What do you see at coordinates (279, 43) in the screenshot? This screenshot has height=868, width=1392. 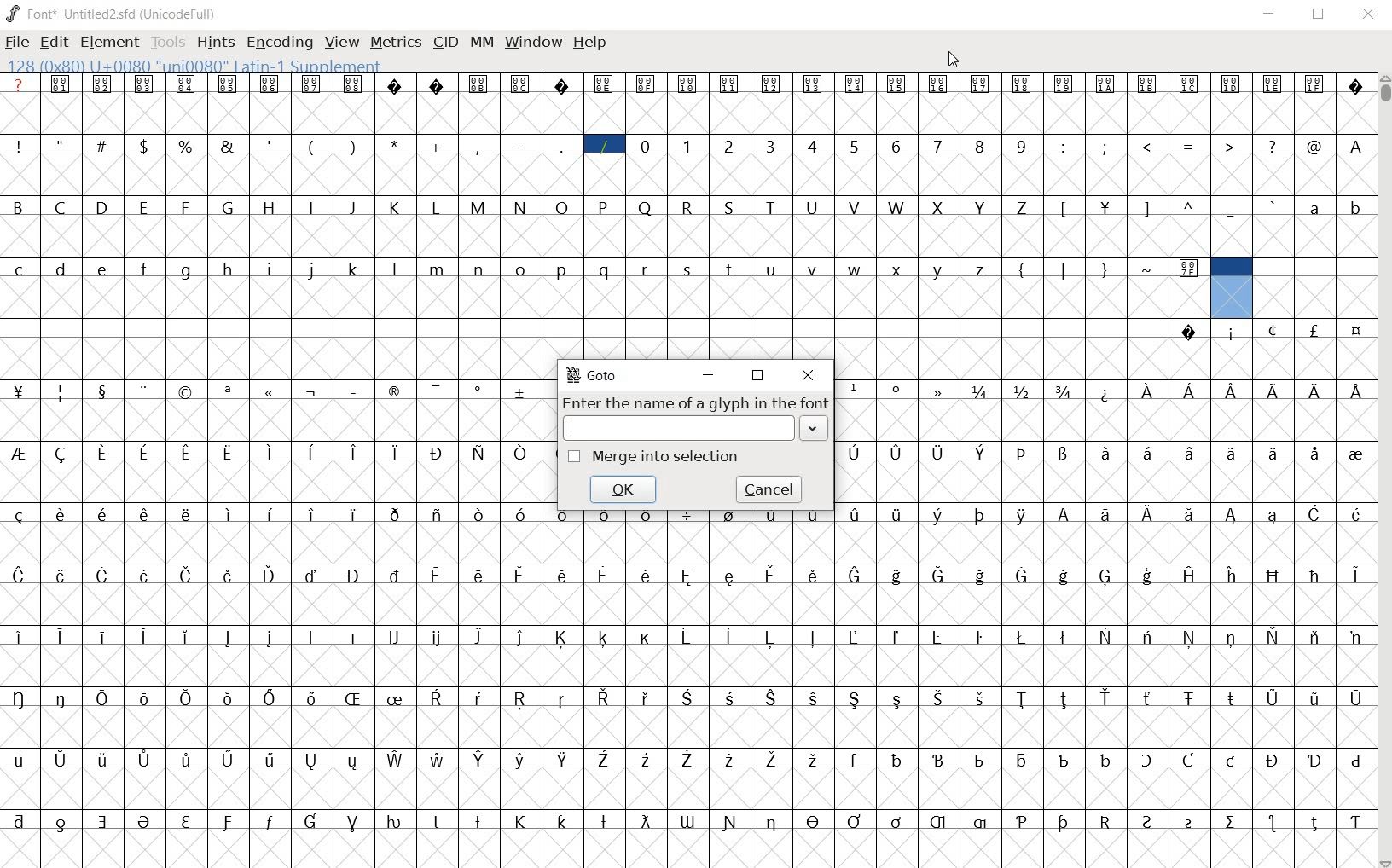 I see `encoding` at bounding box center [279, 43].